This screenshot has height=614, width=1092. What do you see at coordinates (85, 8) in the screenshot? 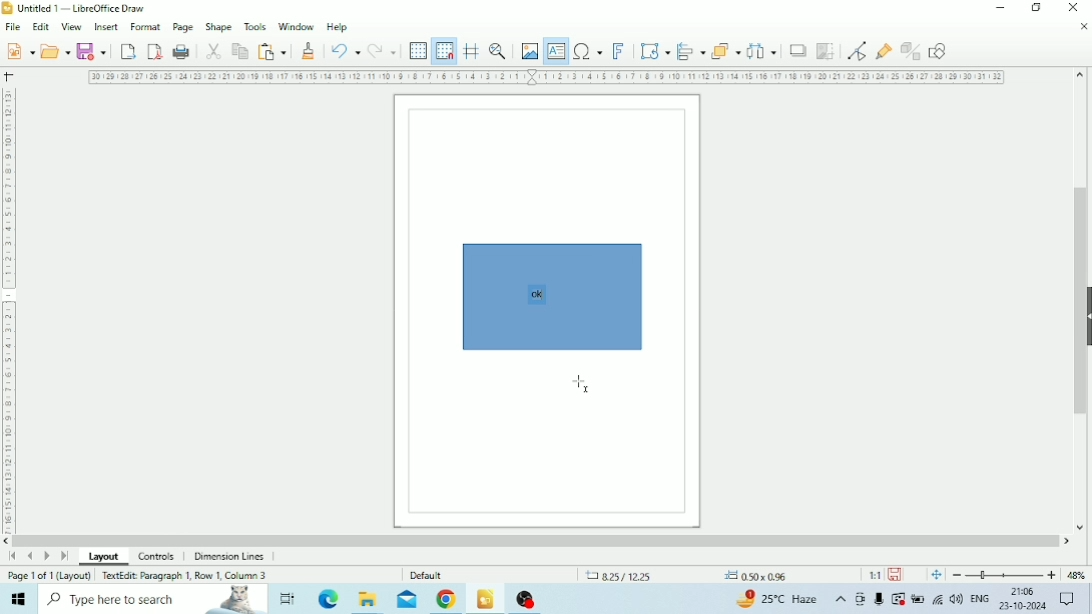
I see `File name` at bounding box center [85, 8].